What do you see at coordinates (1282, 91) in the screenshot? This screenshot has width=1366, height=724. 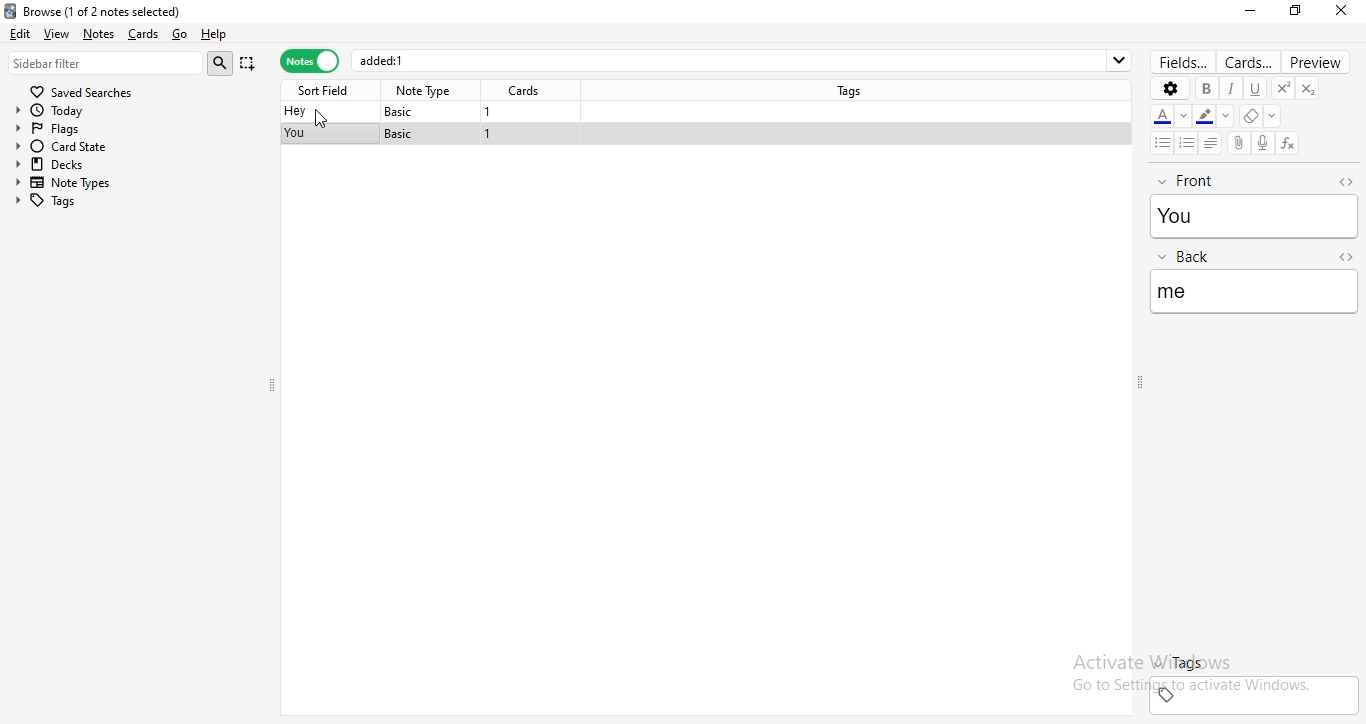 I see `superscript` at bounding box center [1282, 91].